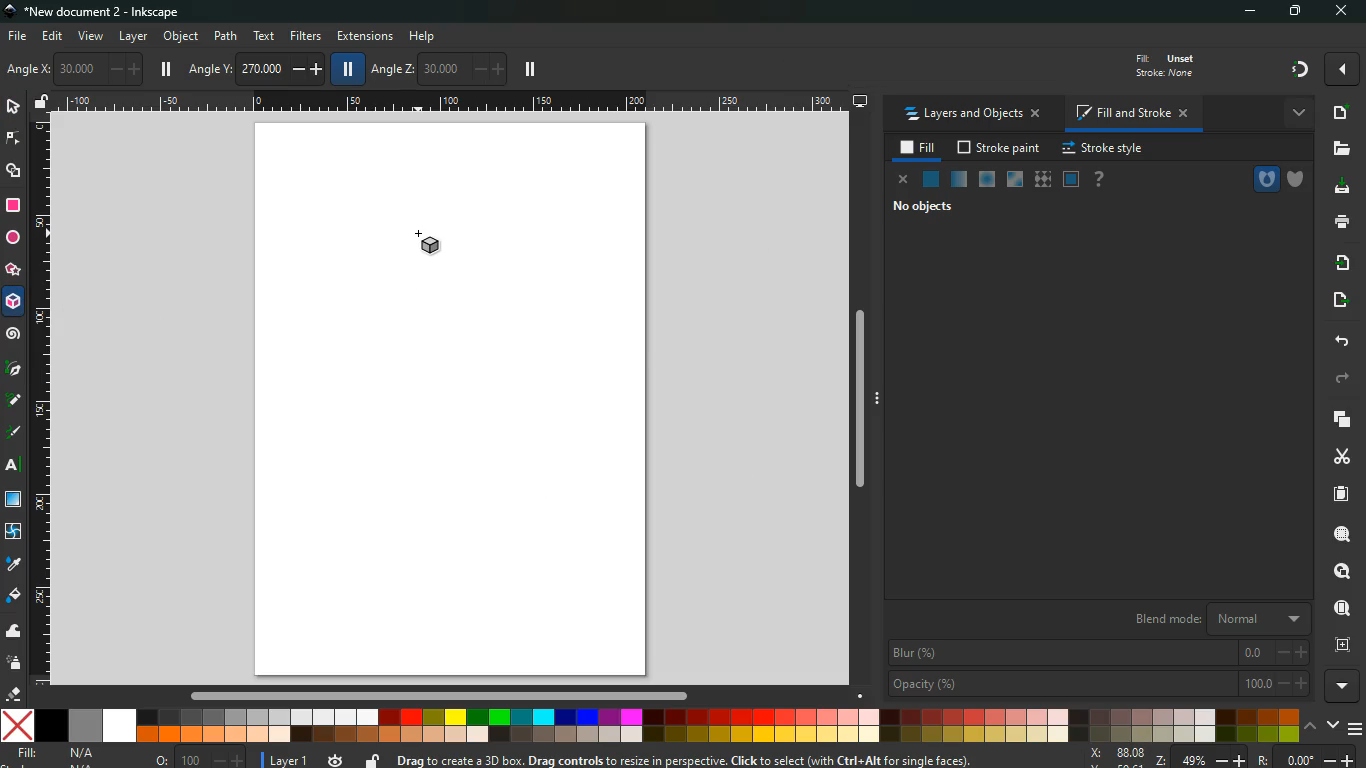 Image resolution: width=1366 pixels, height=768 pixels. What do you see at coordinates (418, 235) in the screenshot?
I see `Cursor` at bounding box center [418, 235].